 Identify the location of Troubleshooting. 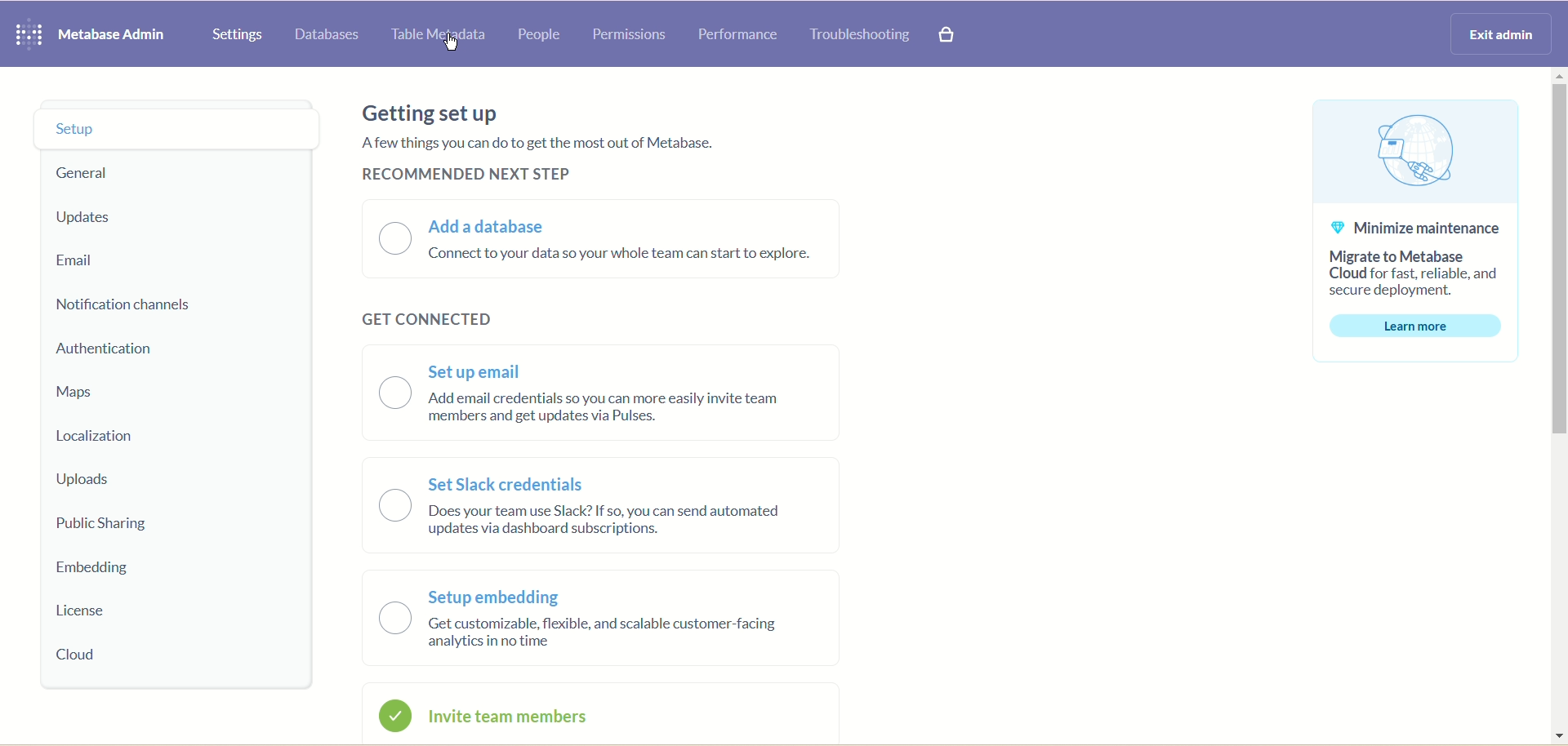
(863, 36).